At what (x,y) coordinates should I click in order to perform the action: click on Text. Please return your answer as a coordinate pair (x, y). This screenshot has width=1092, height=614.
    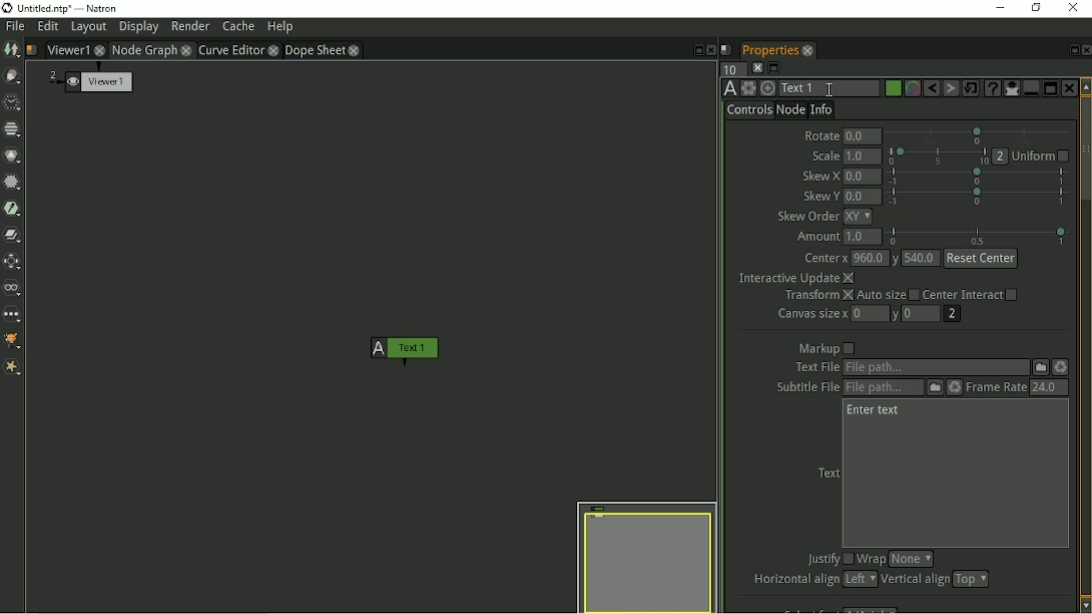
    Looking at the image, I should click on (827, 473).